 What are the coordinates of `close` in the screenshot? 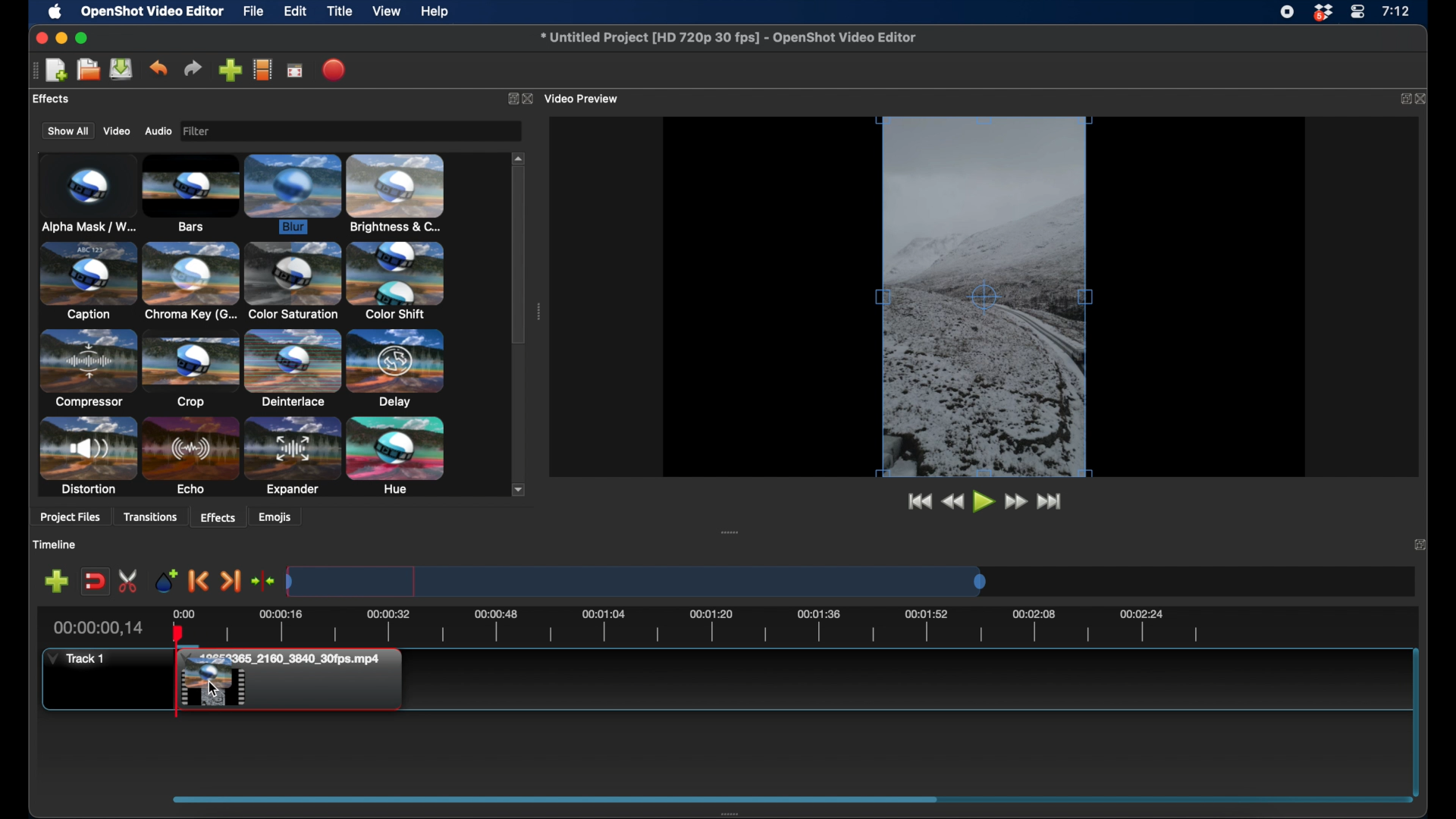 It's located at (531, 99).